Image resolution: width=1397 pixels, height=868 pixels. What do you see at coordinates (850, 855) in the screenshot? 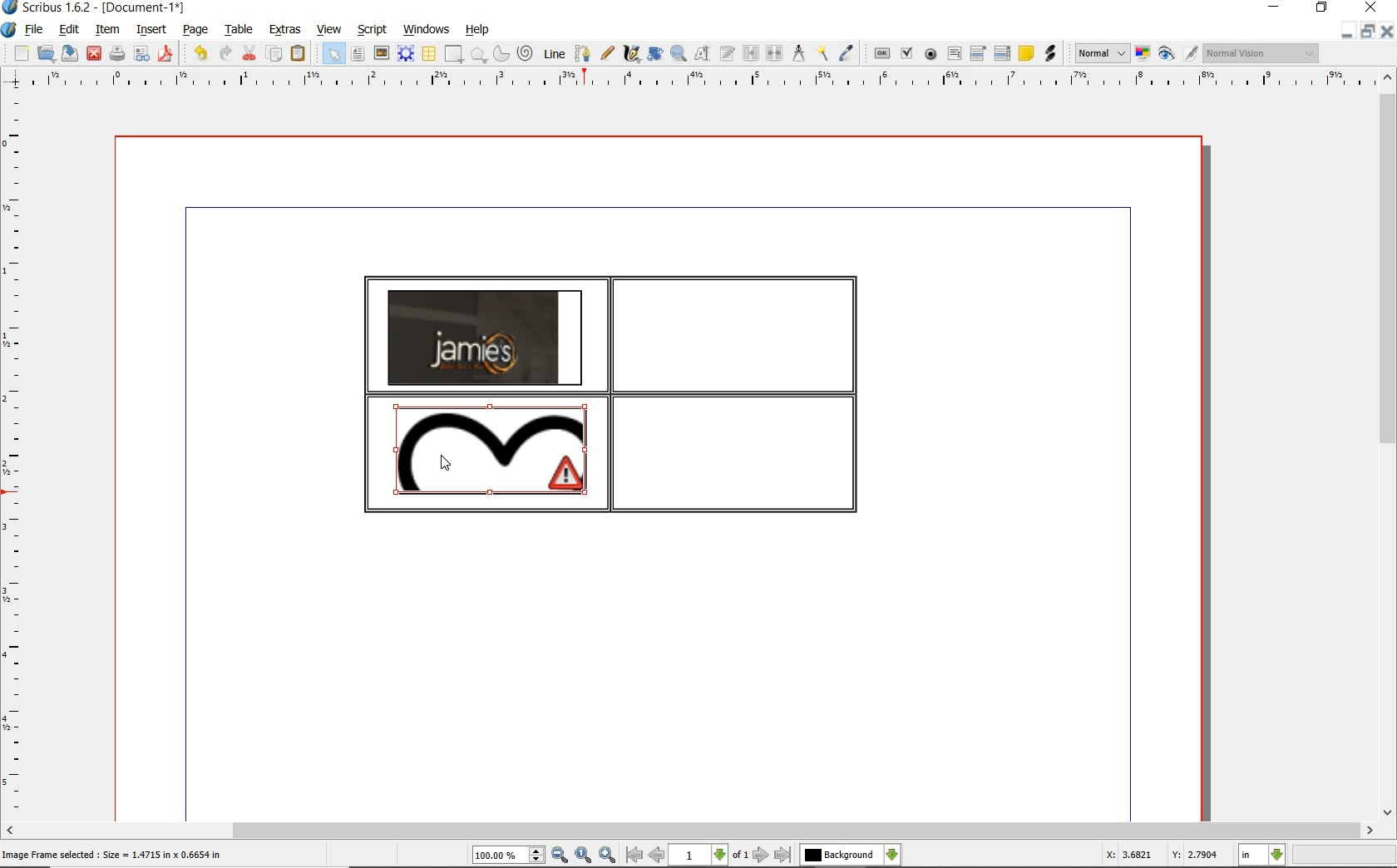
I see `select the current layer` at bounding box center [850, 855].